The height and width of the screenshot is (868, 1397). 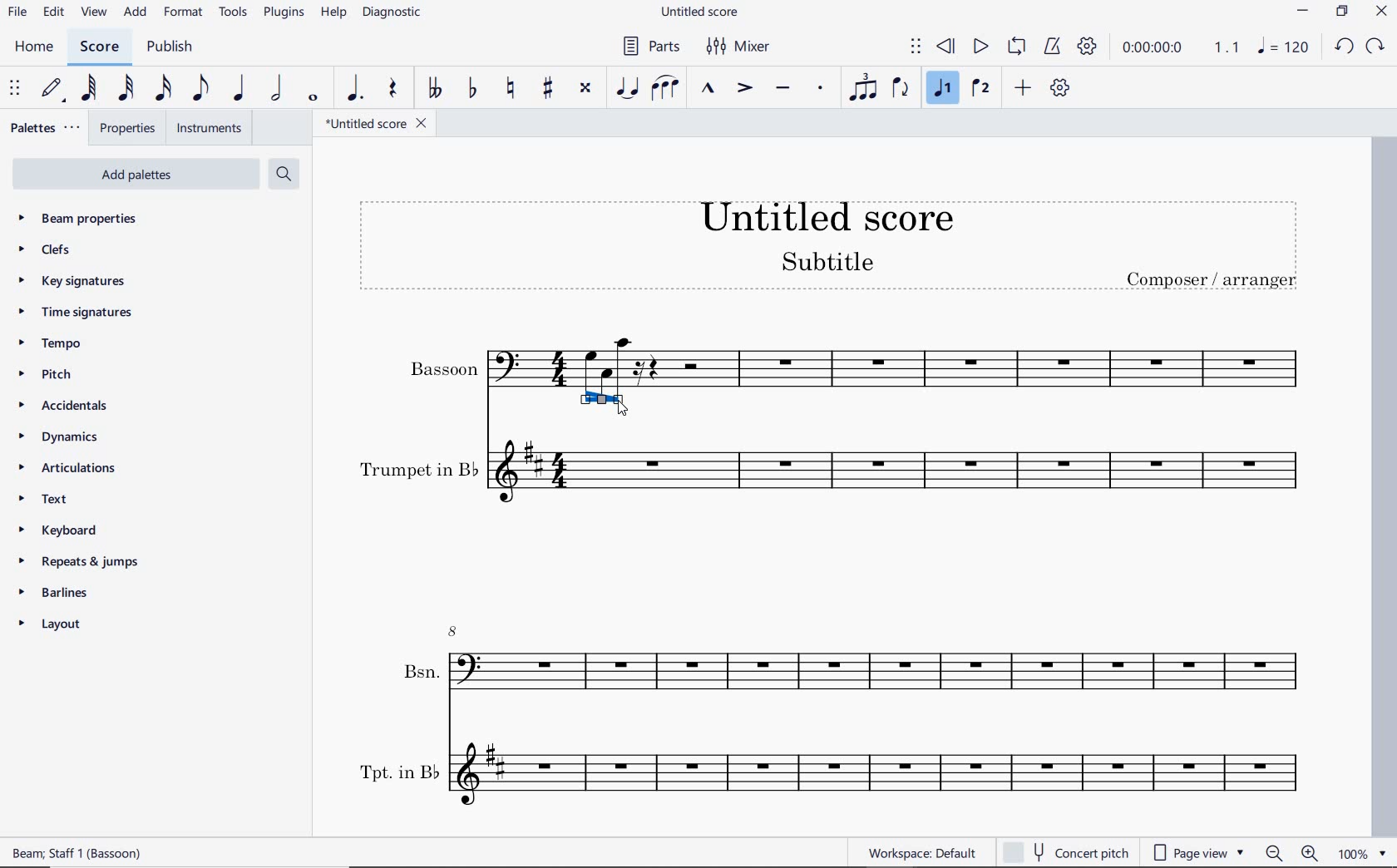 I want to click on toggle flat, so click(x=474, y=87).